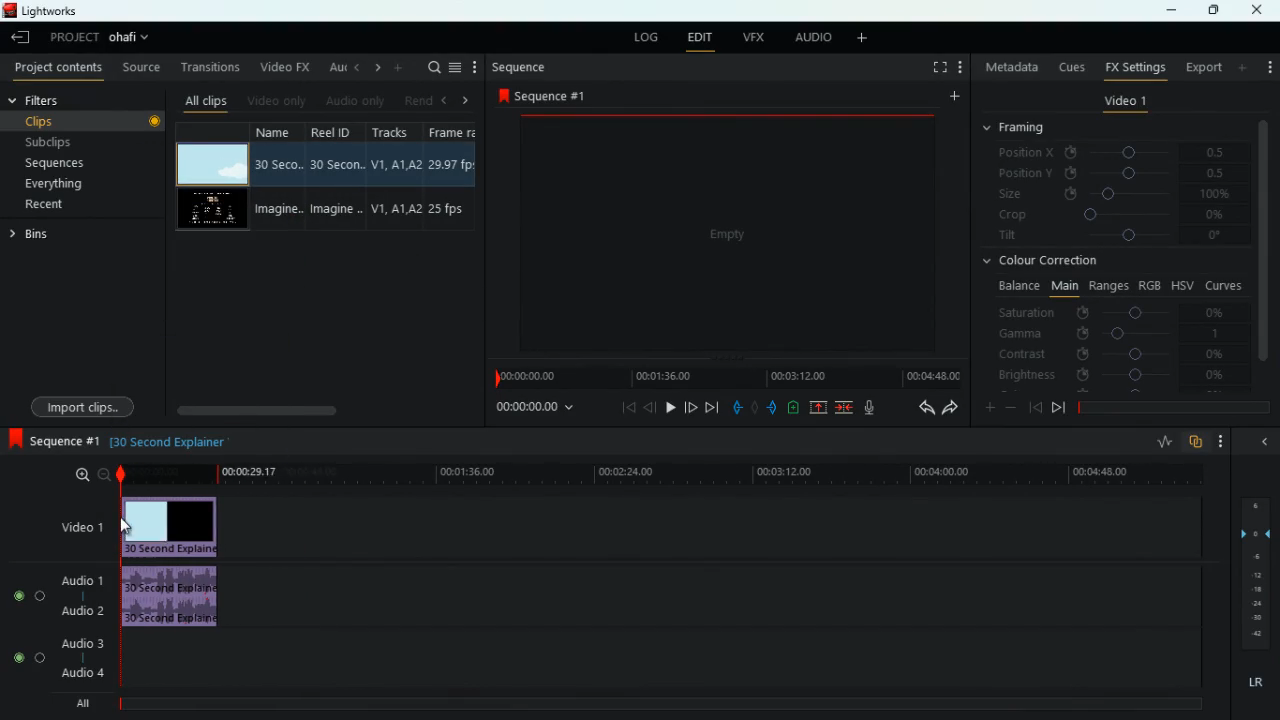  Describe the element at coordinates (78, 578) in the screenshot. I see `audio 1` at that location.